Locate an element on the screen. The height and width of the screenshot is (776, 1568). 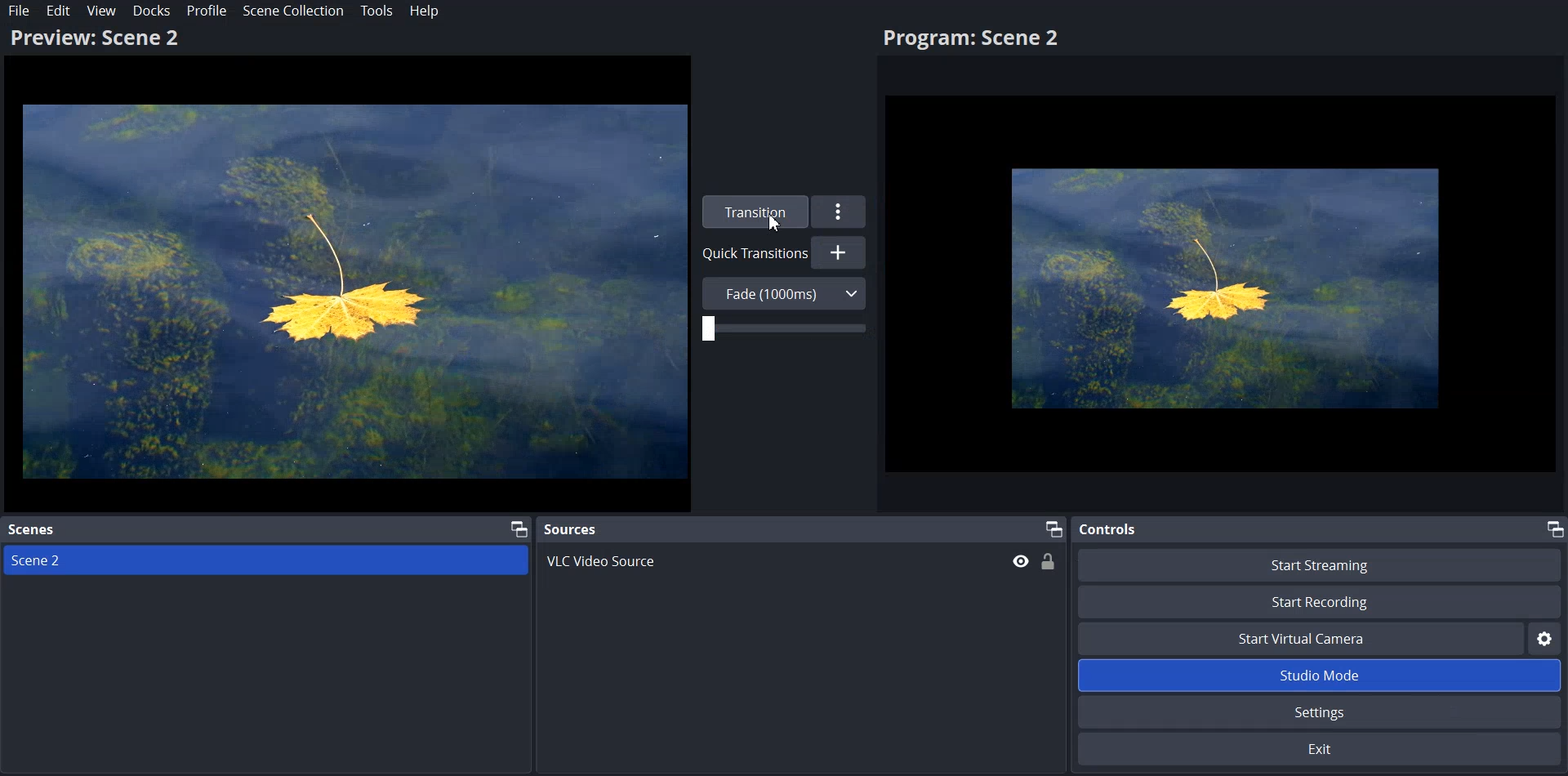
Help is located at coordinates (425, 11).